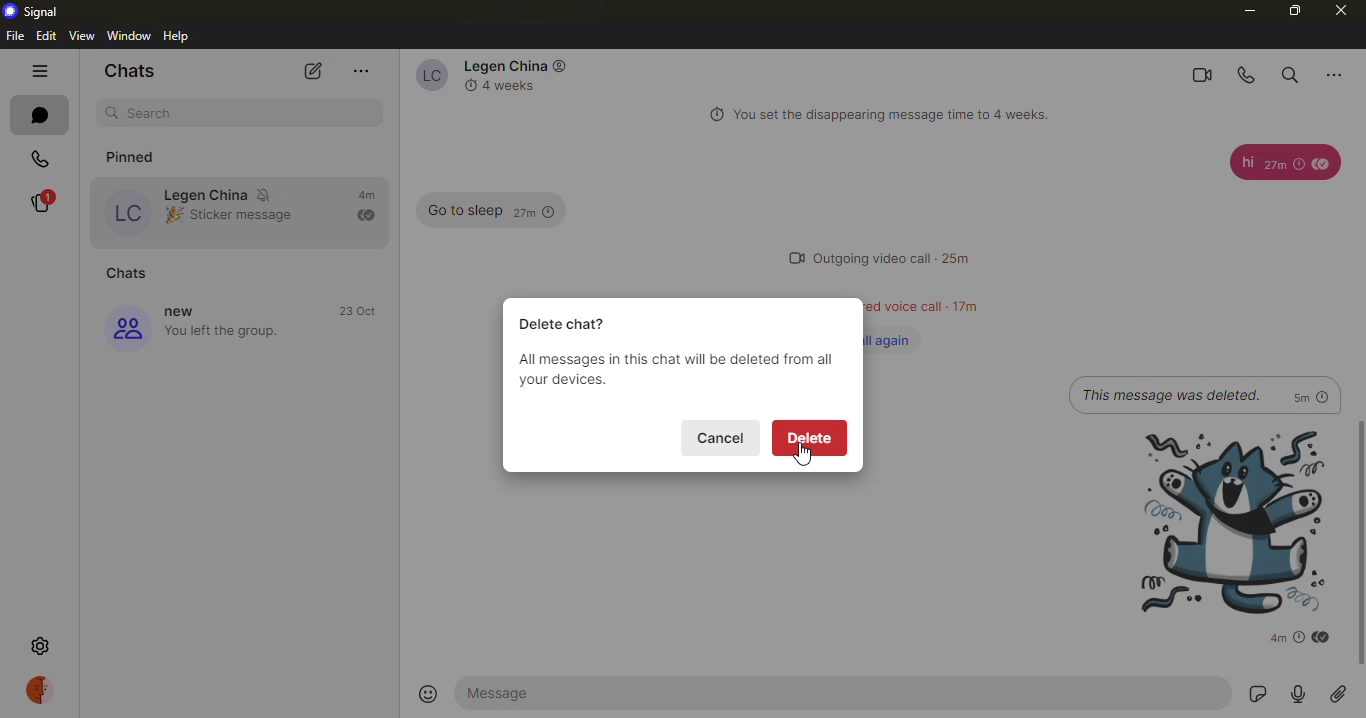 The height and width of the screenshot is (718, 1366). What do you see at coordinates (1242, 74) in the screenshot?
I see `voice call` at bounding box center [1242, 74].